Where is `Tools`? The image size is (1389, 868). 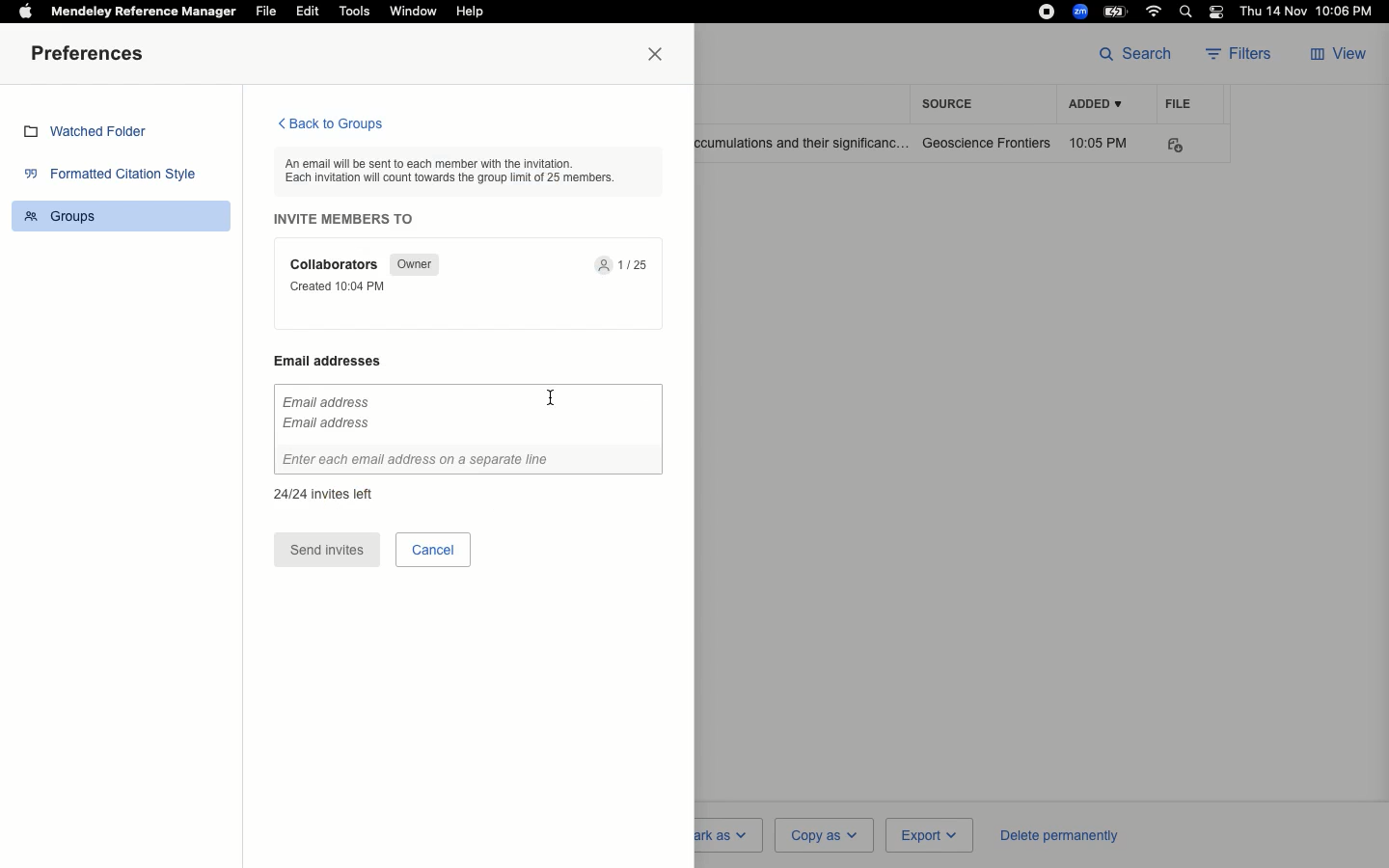
Tools is located at coordinates (355, 12).